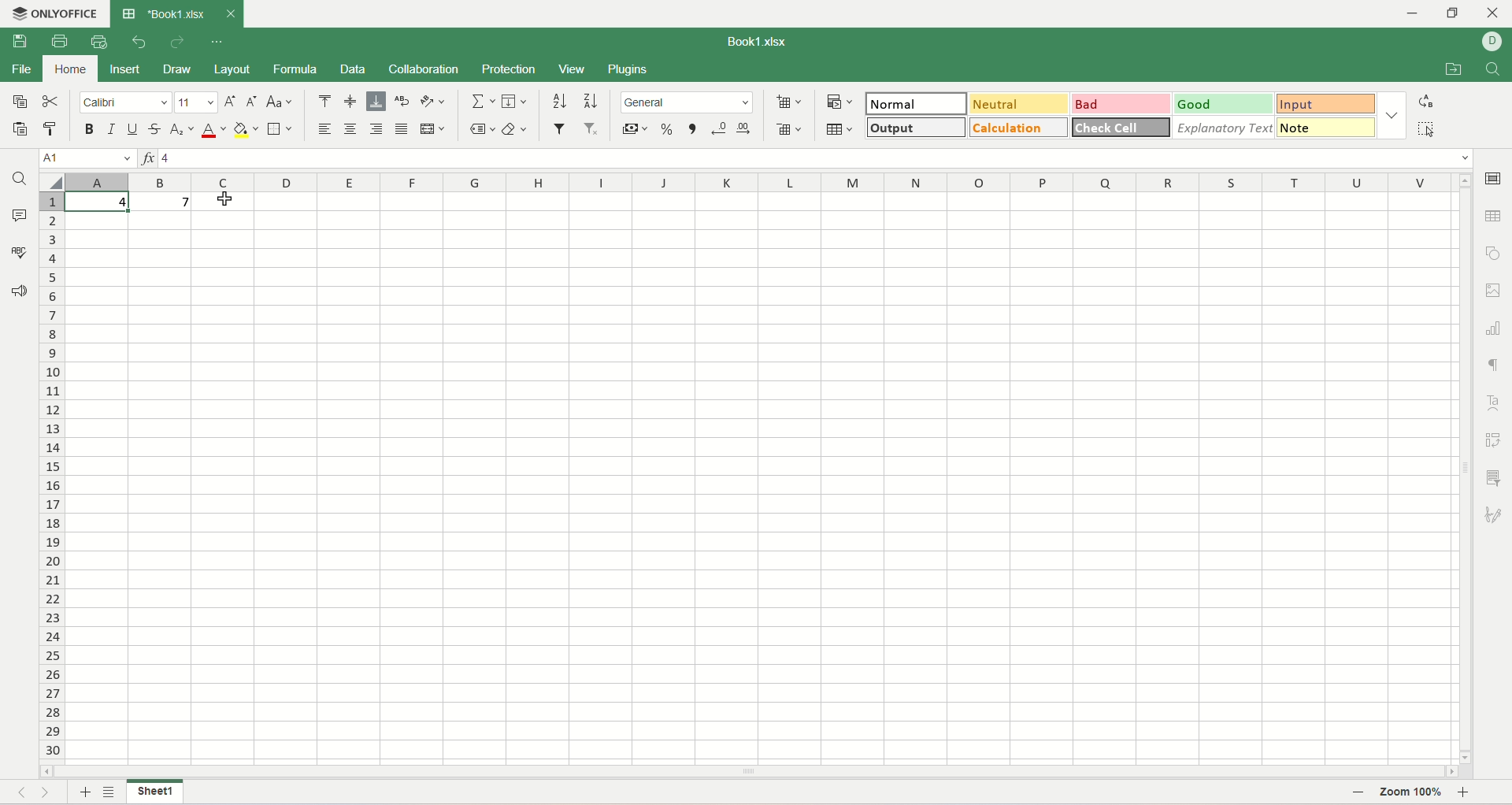  What do you see at coordinates (1425, 102) in the screenshot?
I see `replace` at bounding box center [1425, 102].